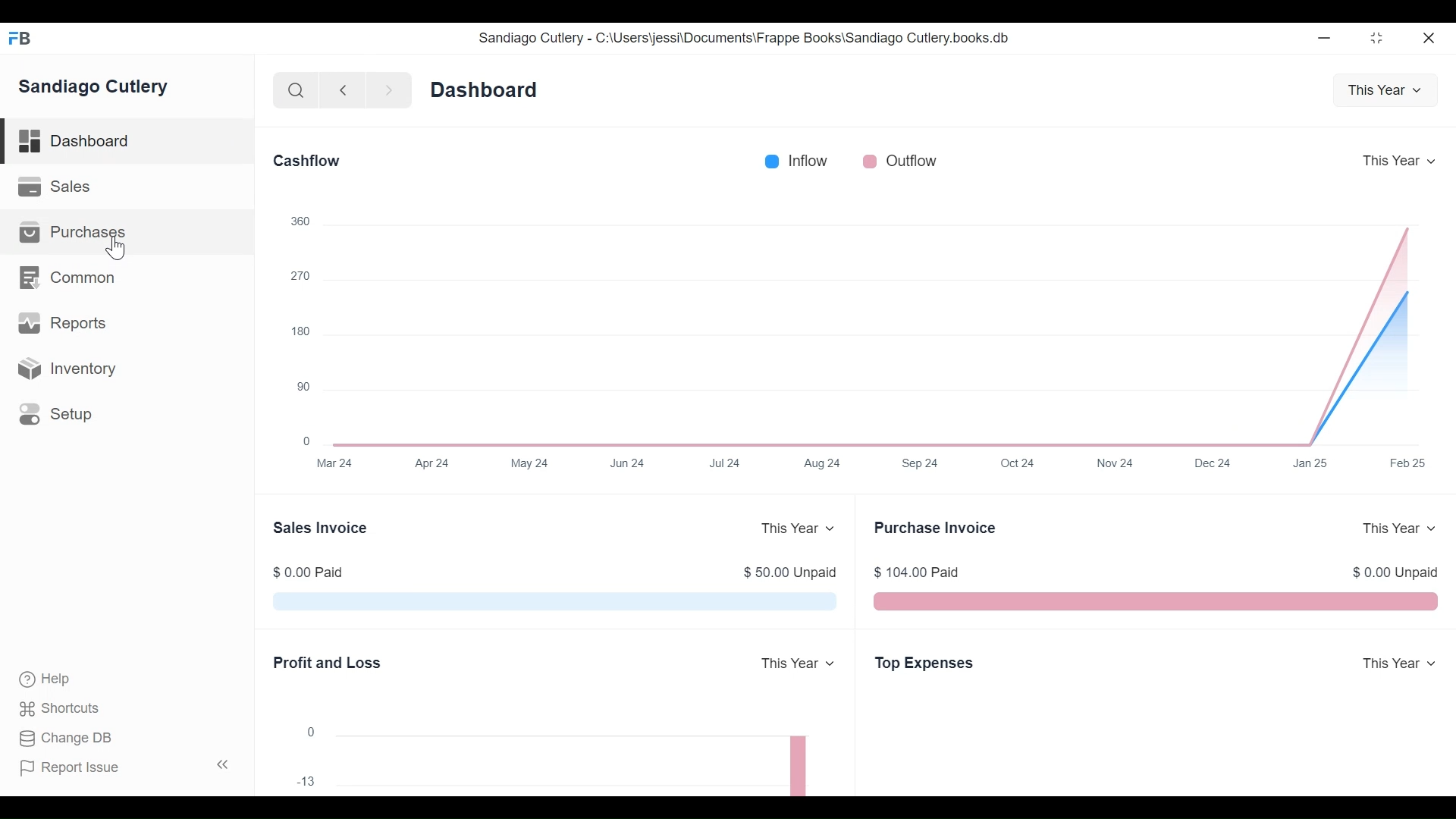 This screenshot has height=819, width=1456. I want to click on $ 50.00 Unpaid, so click(792, 573).